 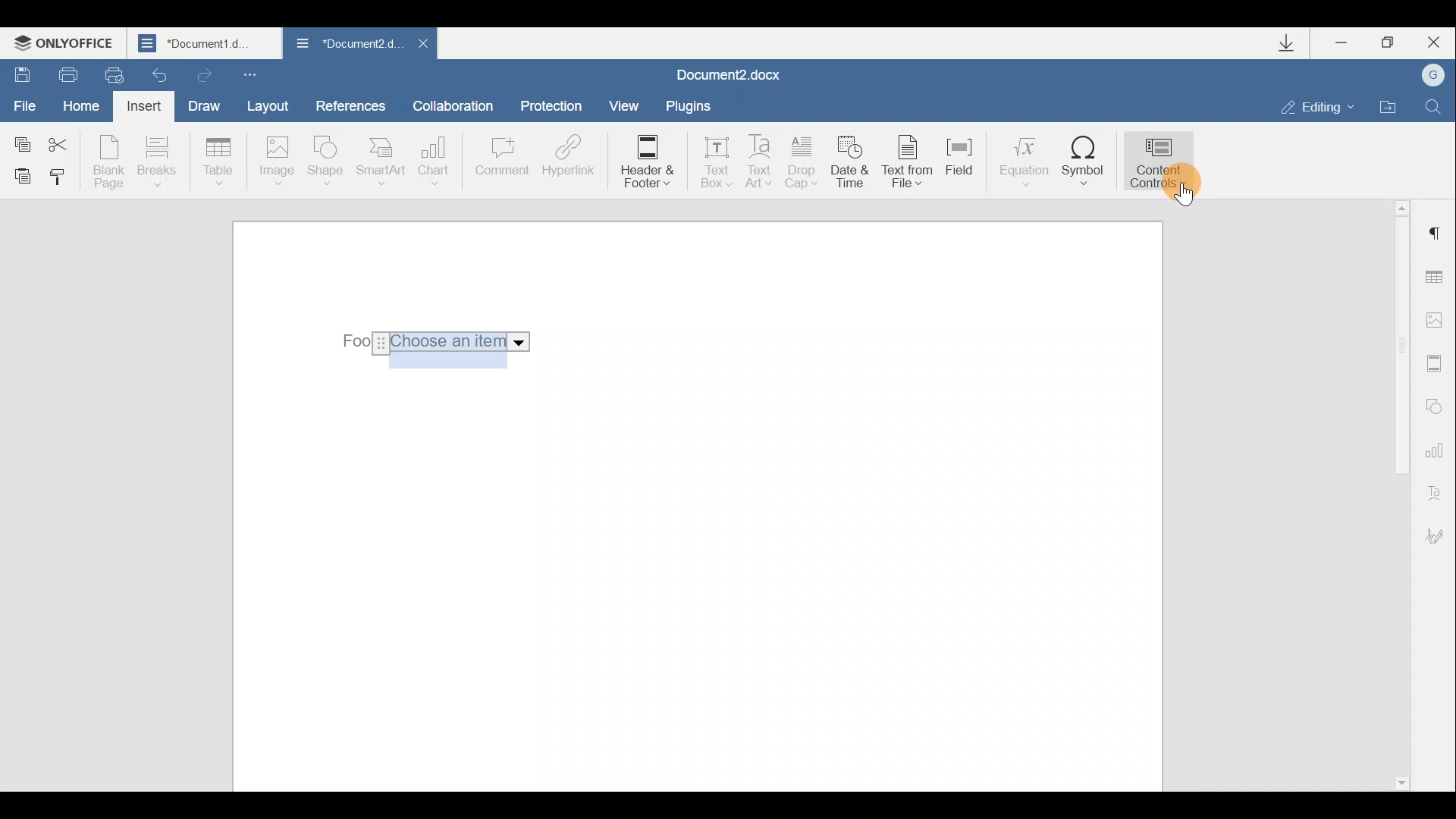 What do you see at coordinates (1428, 76) in the screenshot?
I see `Account name` at bounding box center [1428, 76].